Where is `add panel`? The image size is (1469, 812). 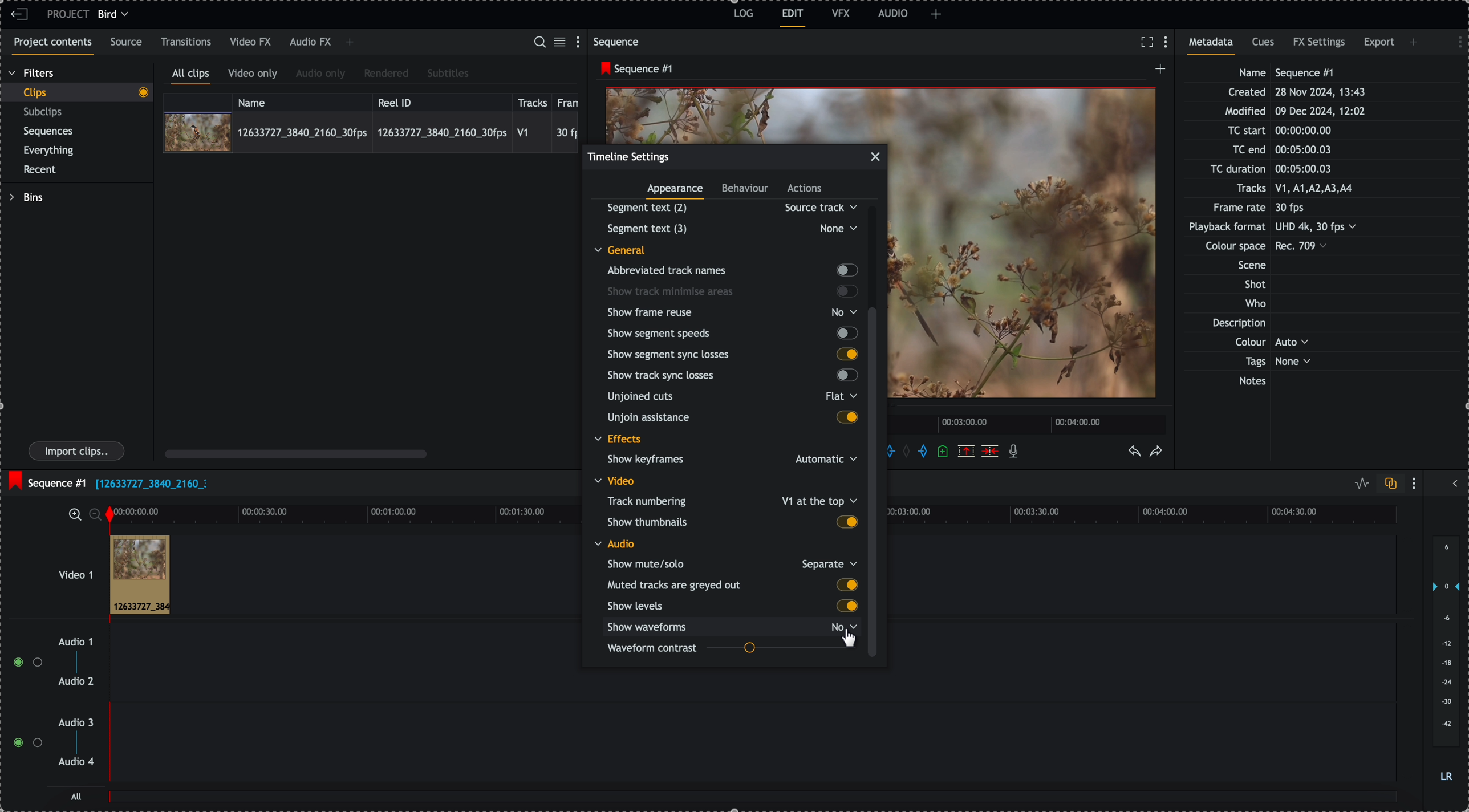 add panel is located at coordinates (350, 43).